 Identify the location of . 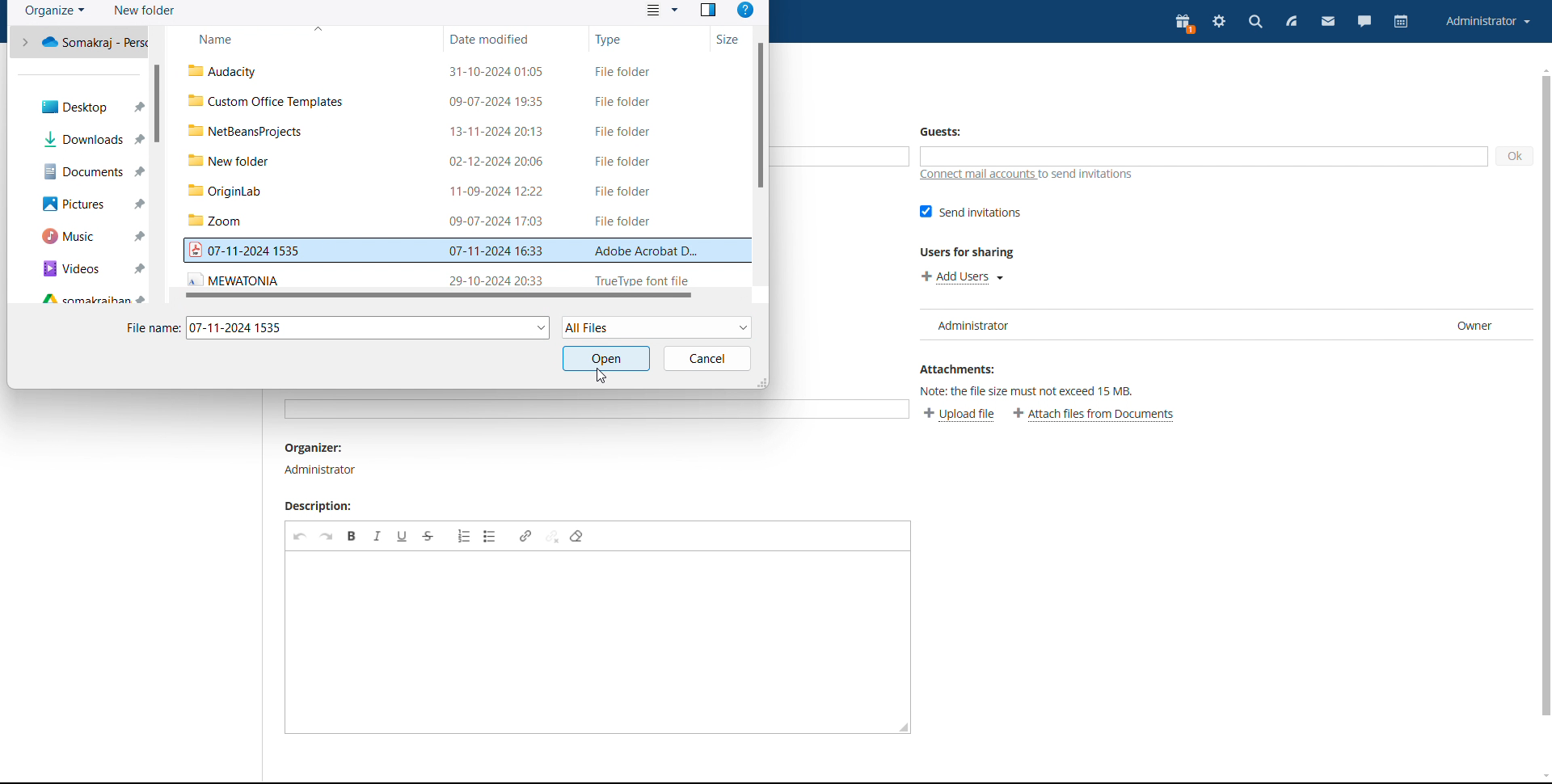
(84, 43).